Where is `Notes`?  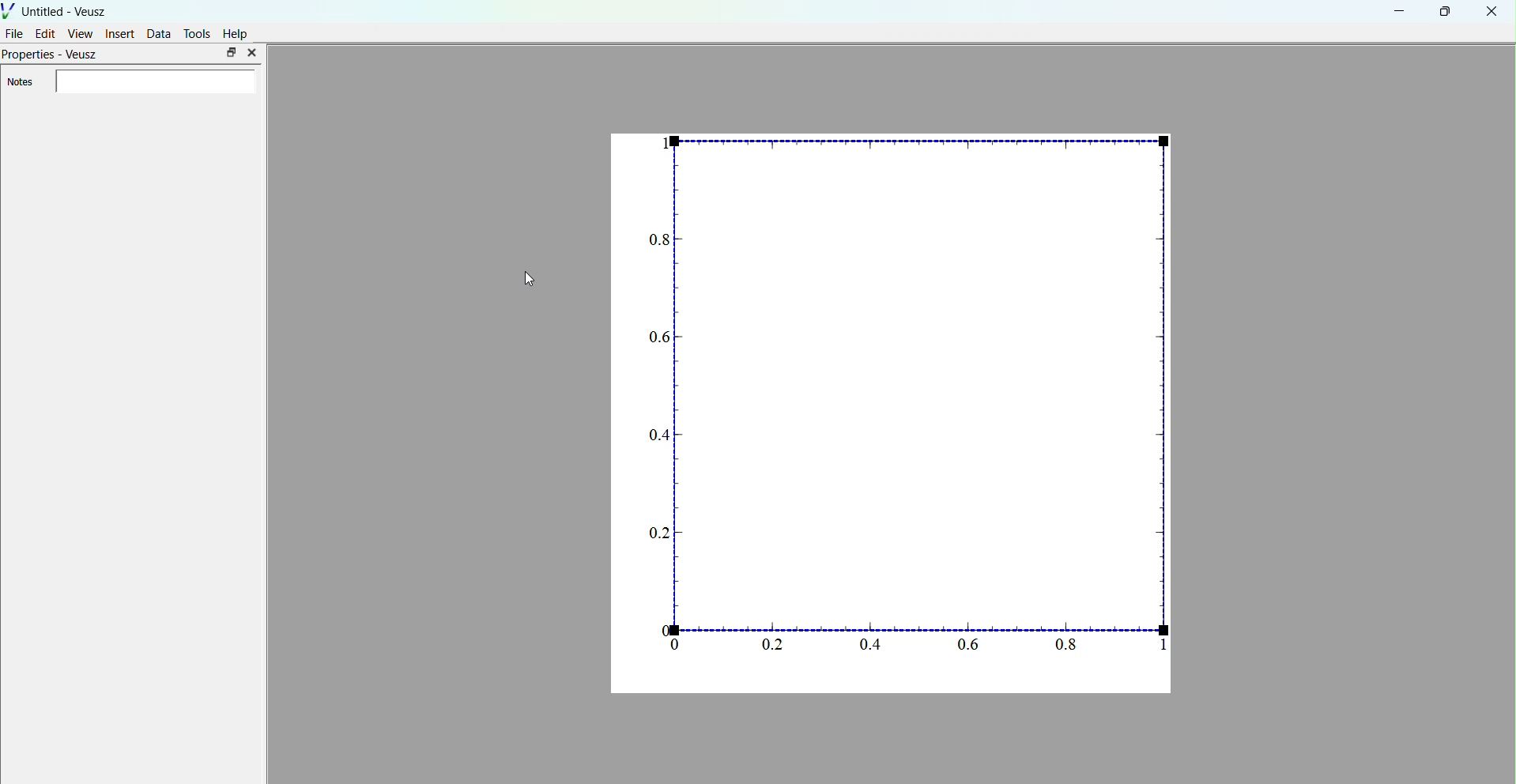 Notes is located at coordinates (20, 82).